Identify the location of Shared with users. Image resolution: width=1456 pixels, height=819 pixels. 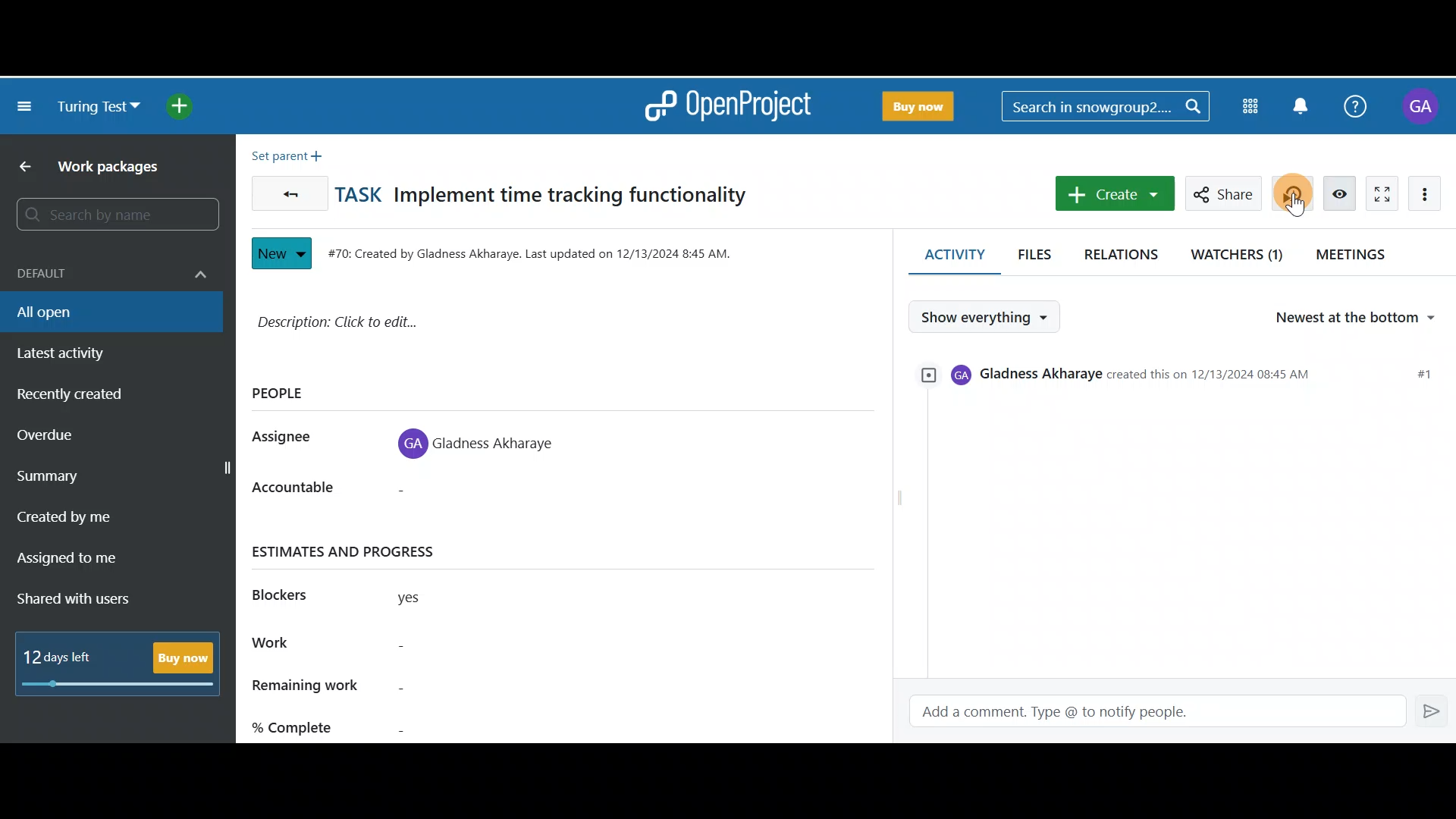
(86, 600).